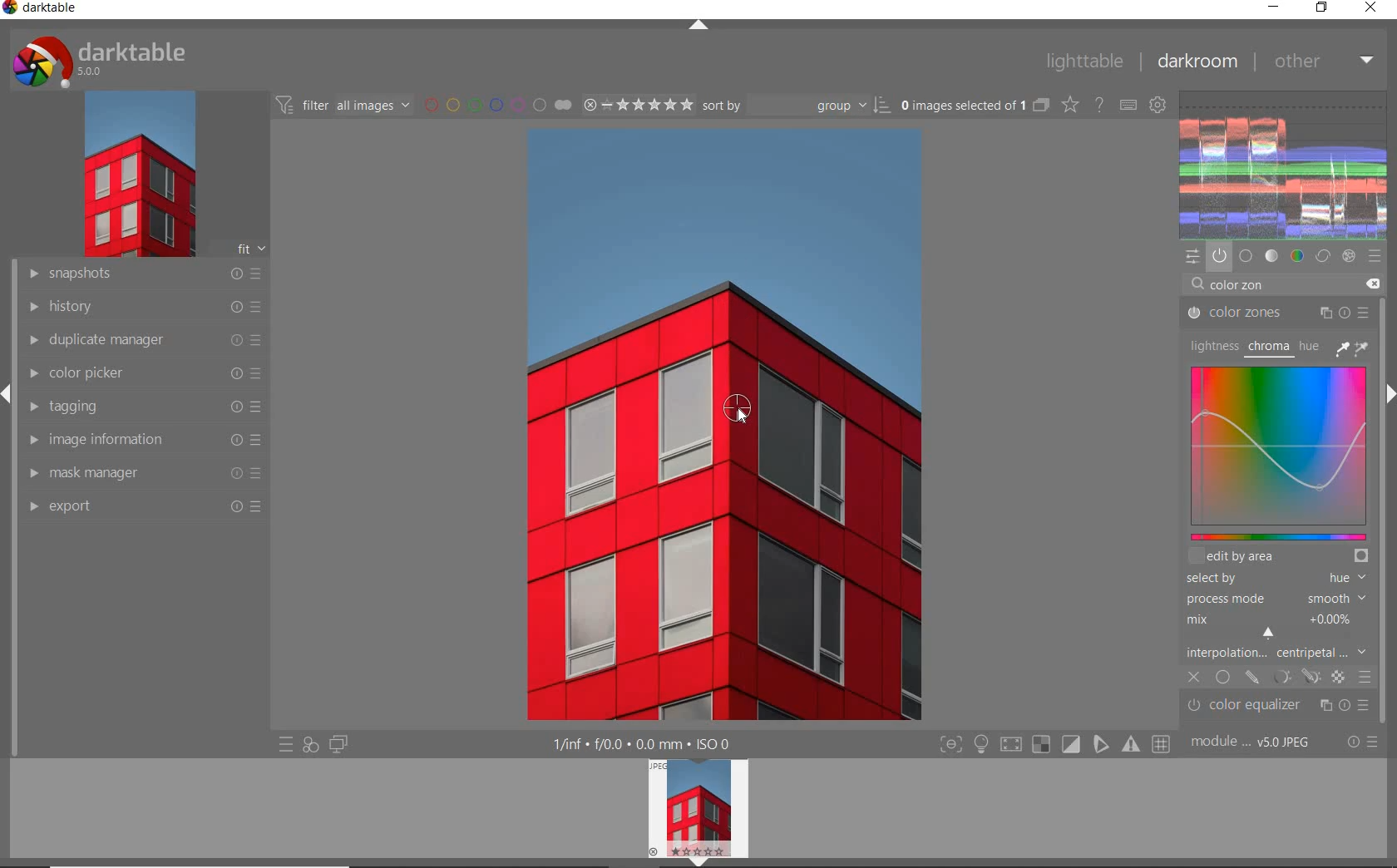 Image resolution: width=1397 pixels, height=868 pixels. What do you see at coordinates (141, 276) in the screenshot?
I see `snapshots` at bounding box center [141, 276].